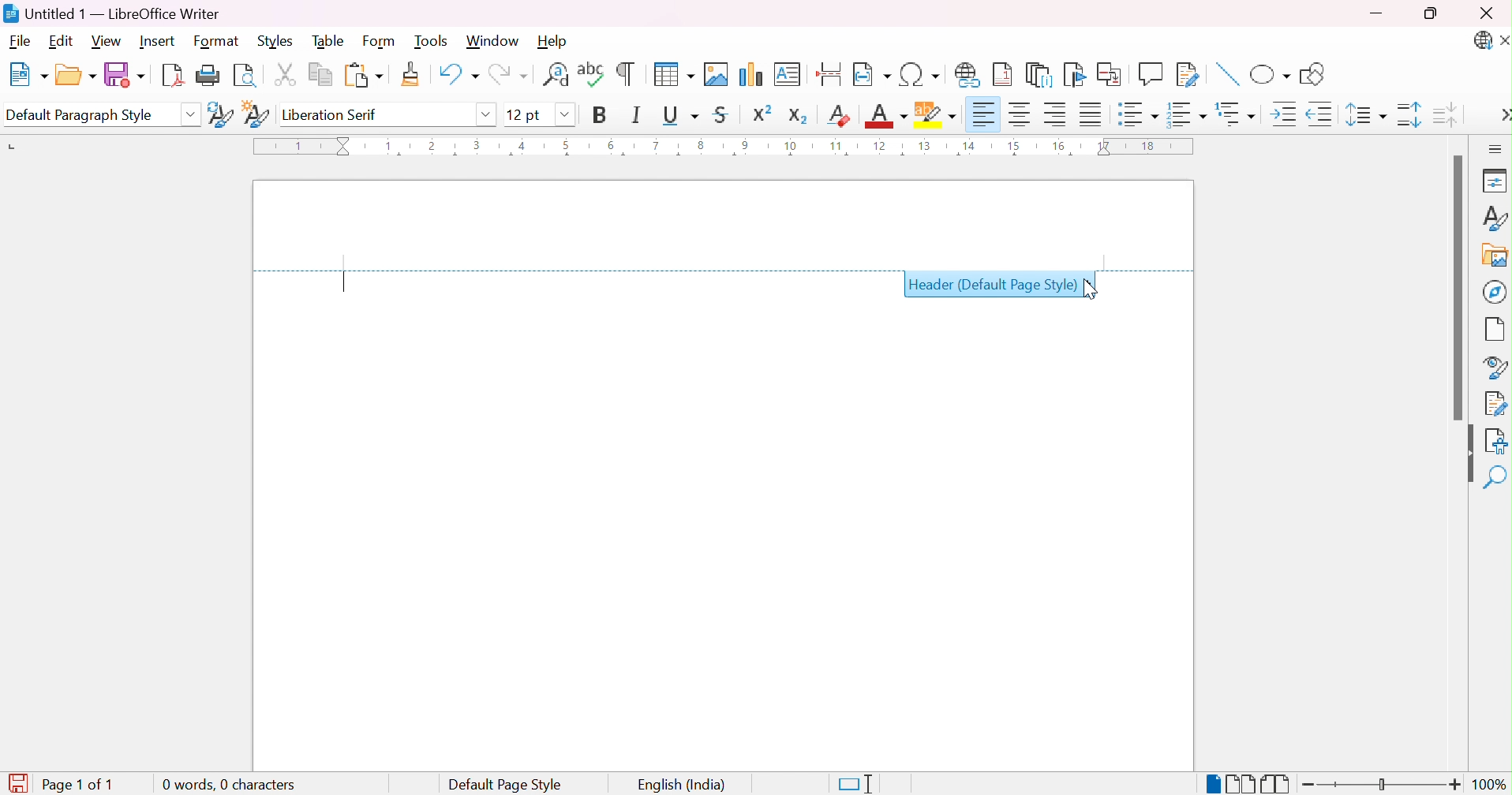  Describe the element at coordinates (210, 75) in the screenshot. I see `Print` at that location.